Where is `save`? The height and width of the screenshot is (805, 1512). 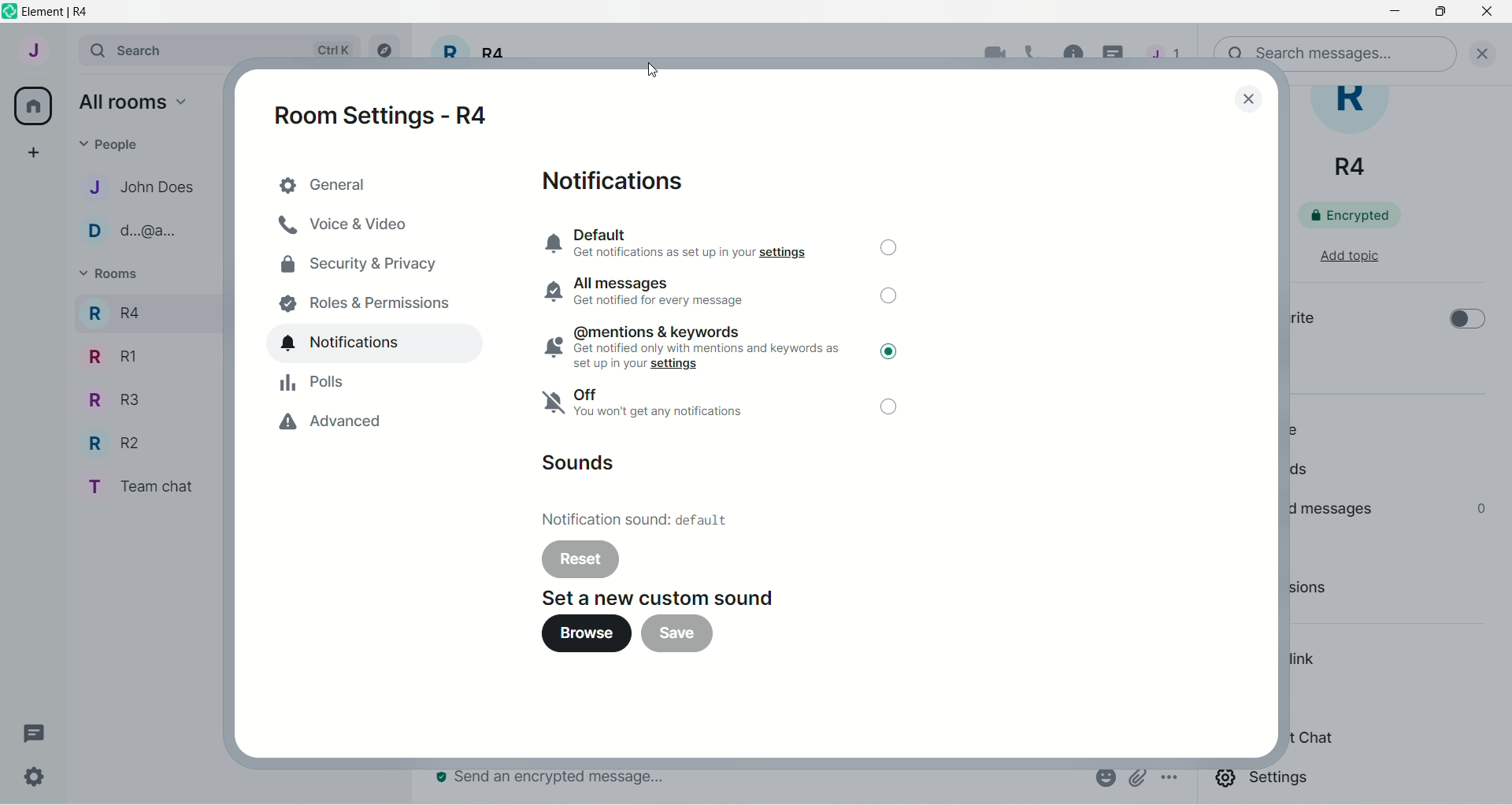 save is located at coordinates (677, 635).